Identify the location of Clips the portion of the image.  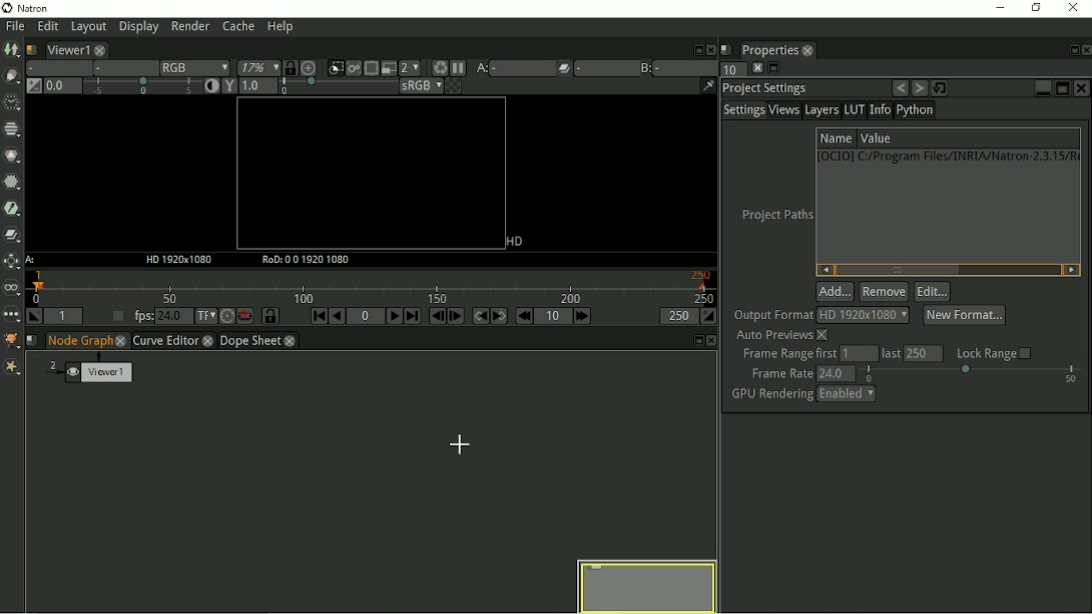
(334, 68).